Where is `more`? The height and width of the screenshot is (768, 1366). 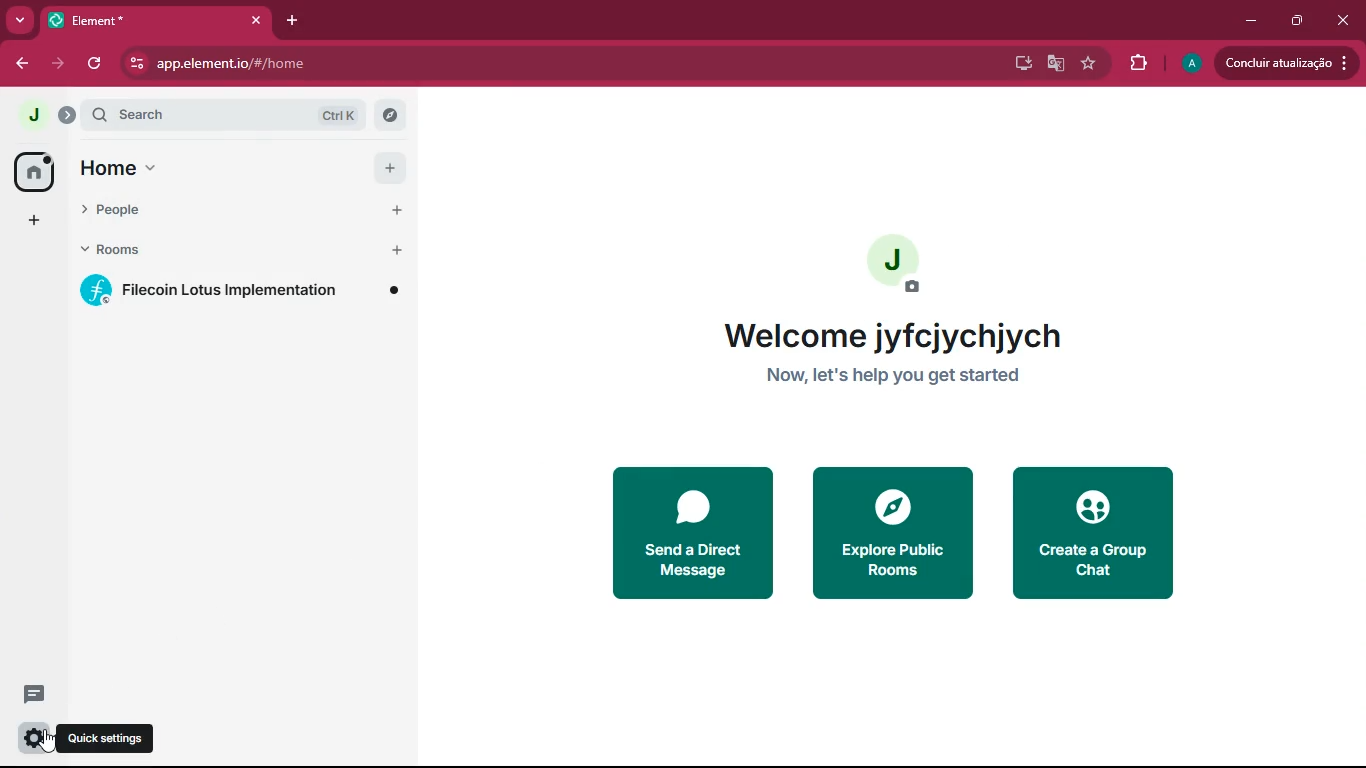
more is located at coordinates (20, 21).